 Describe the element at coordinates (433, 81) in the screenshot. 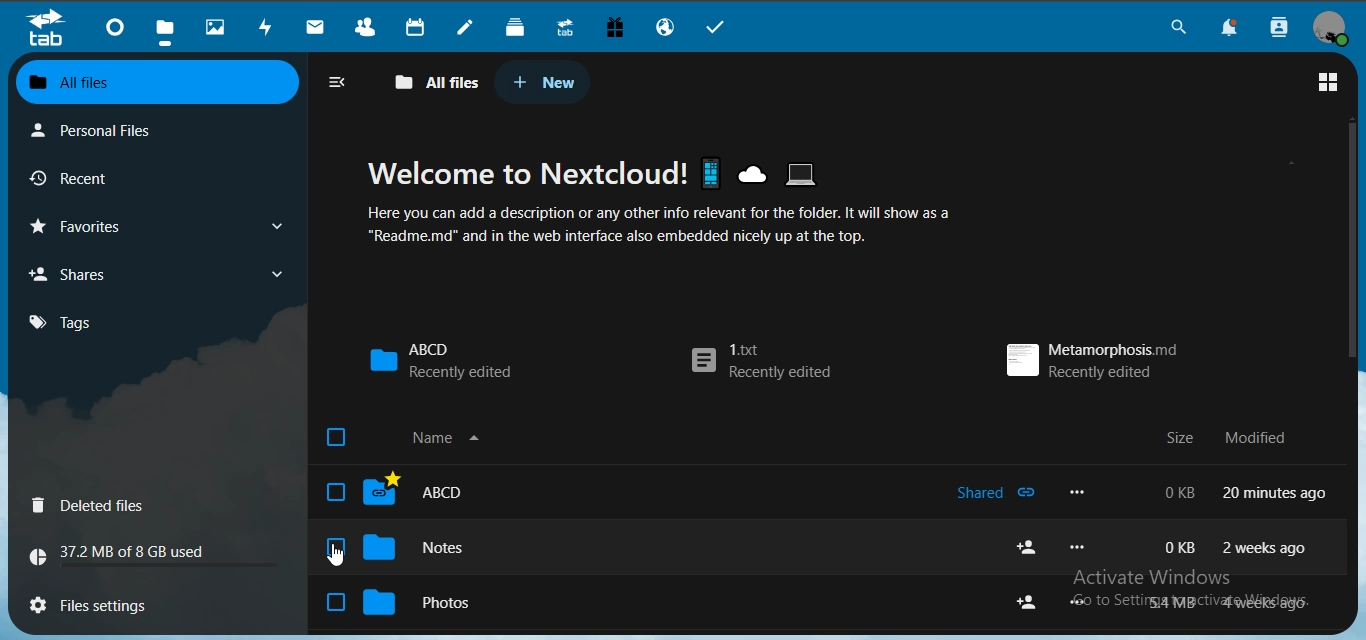

I see `all files` at that location.